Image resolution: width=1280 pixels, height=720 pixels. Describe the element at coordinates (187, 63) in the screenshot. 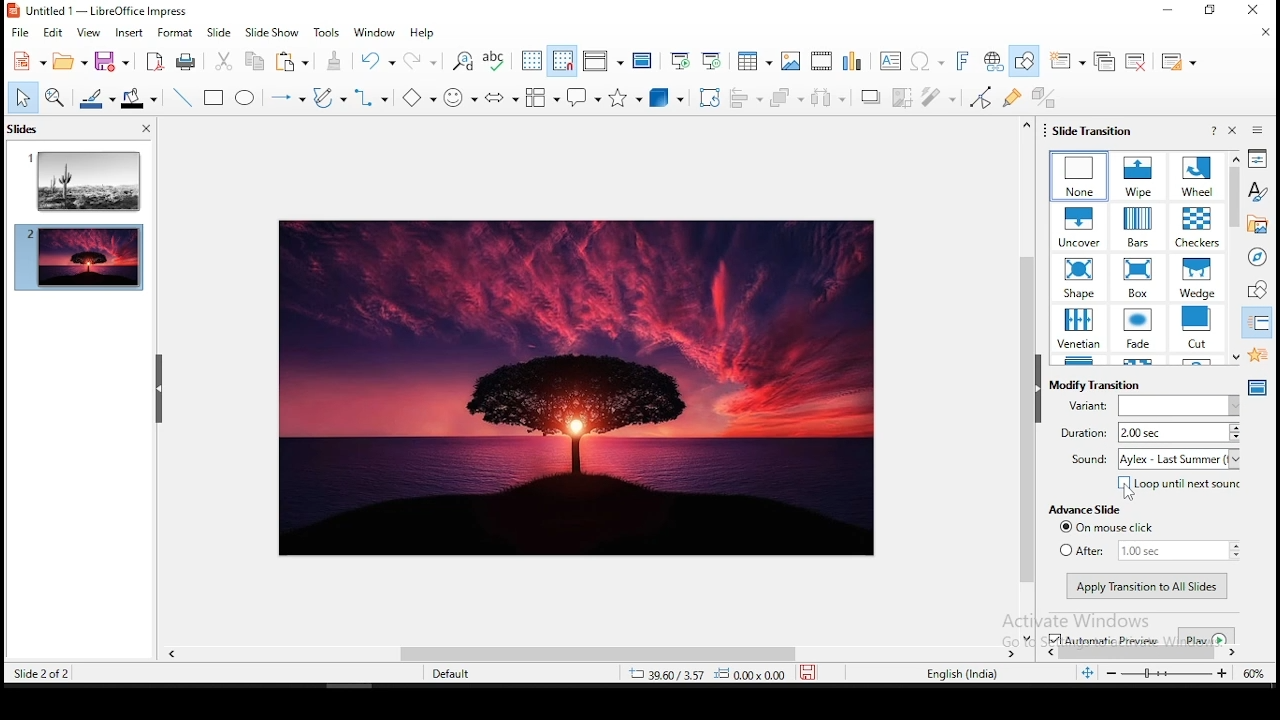

I see `print` at that location.